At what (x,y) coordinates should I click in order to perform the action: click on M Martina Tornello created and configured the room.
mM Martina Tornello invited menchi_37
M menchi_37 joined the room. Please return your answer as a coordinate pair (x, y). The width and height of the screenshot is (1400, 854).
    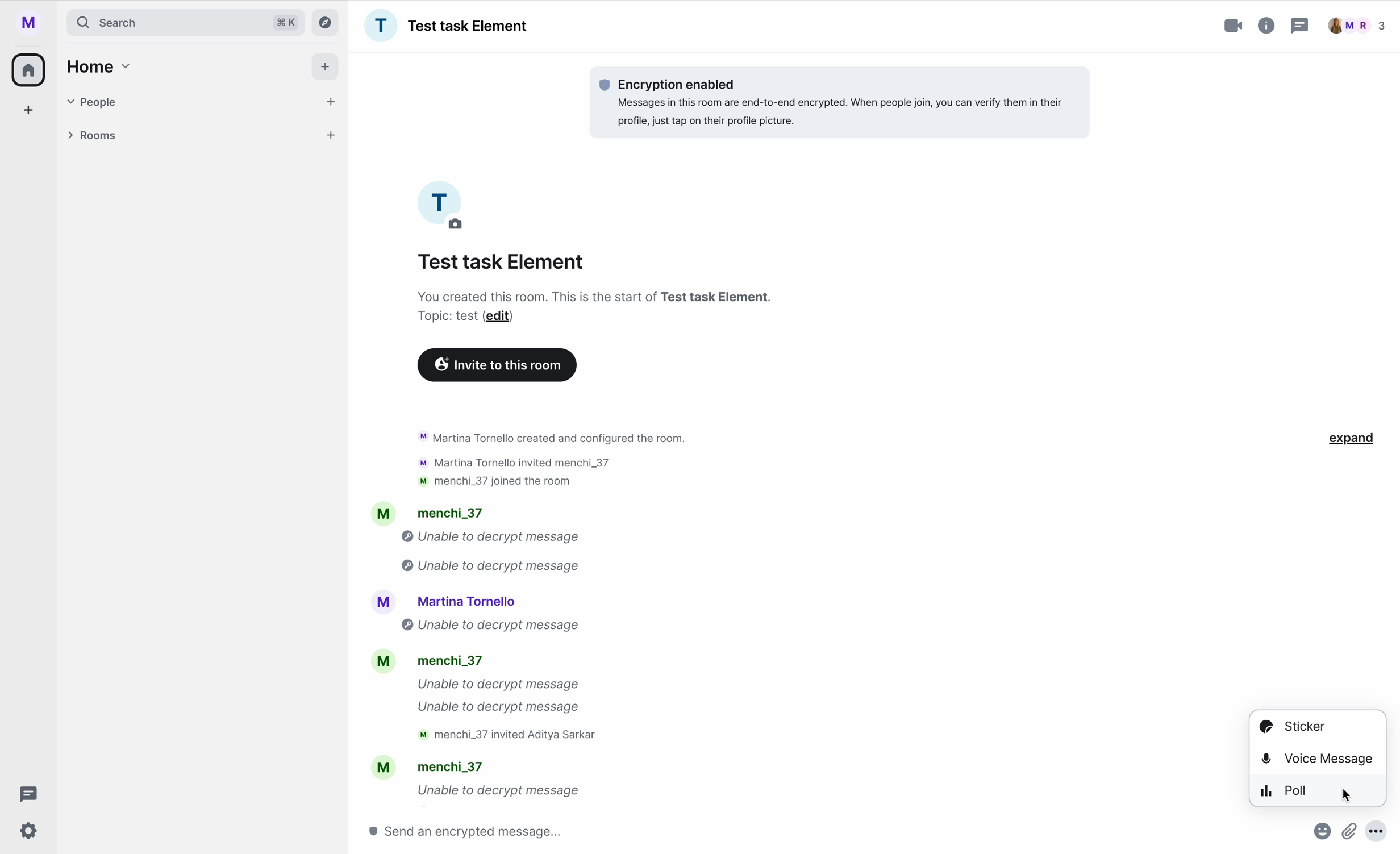
    Looking at the image, I should click on (546, 454).